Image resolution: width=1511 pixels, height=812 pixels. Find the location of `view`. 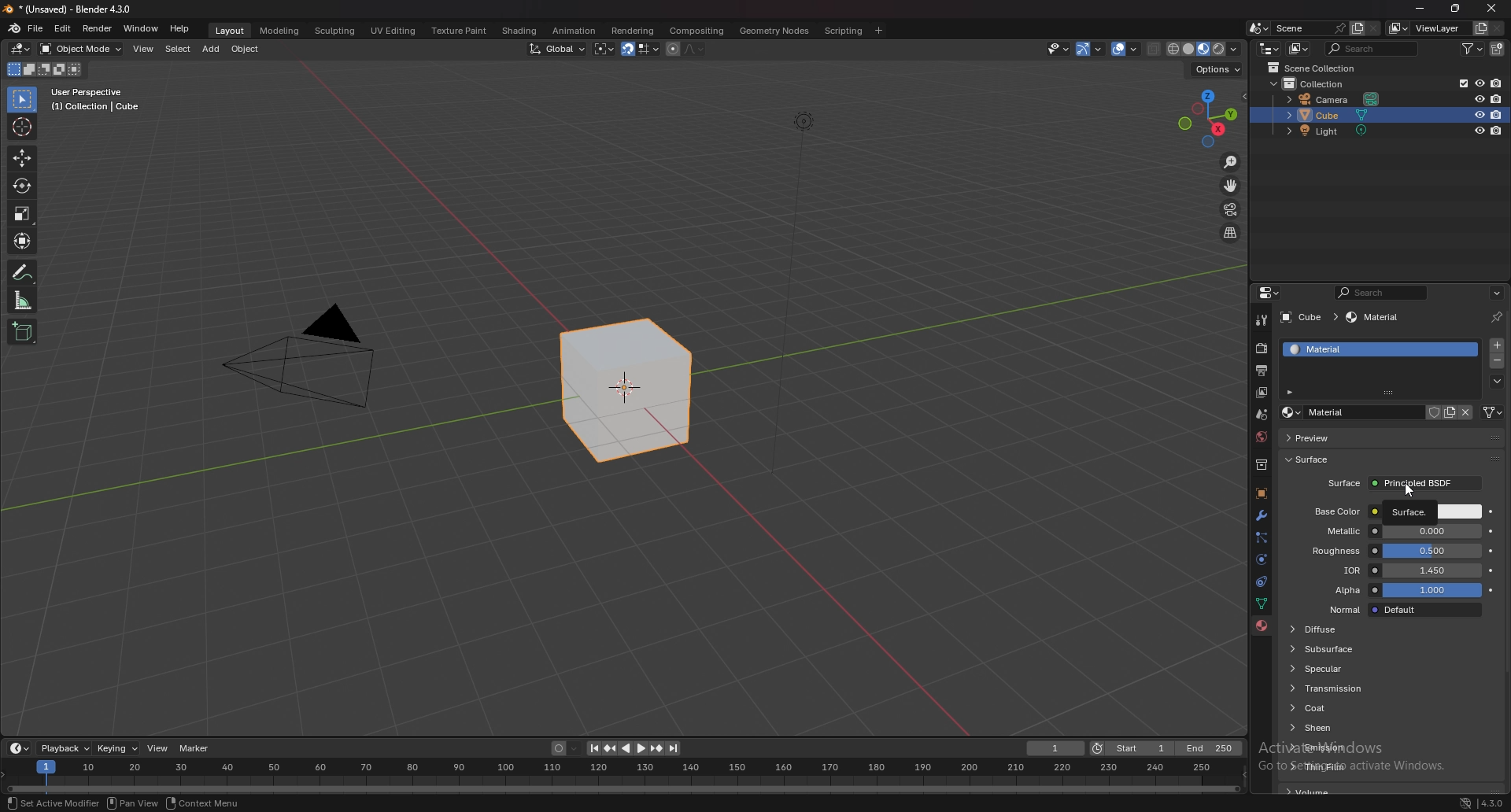

view is located at coordinates (145, 49).